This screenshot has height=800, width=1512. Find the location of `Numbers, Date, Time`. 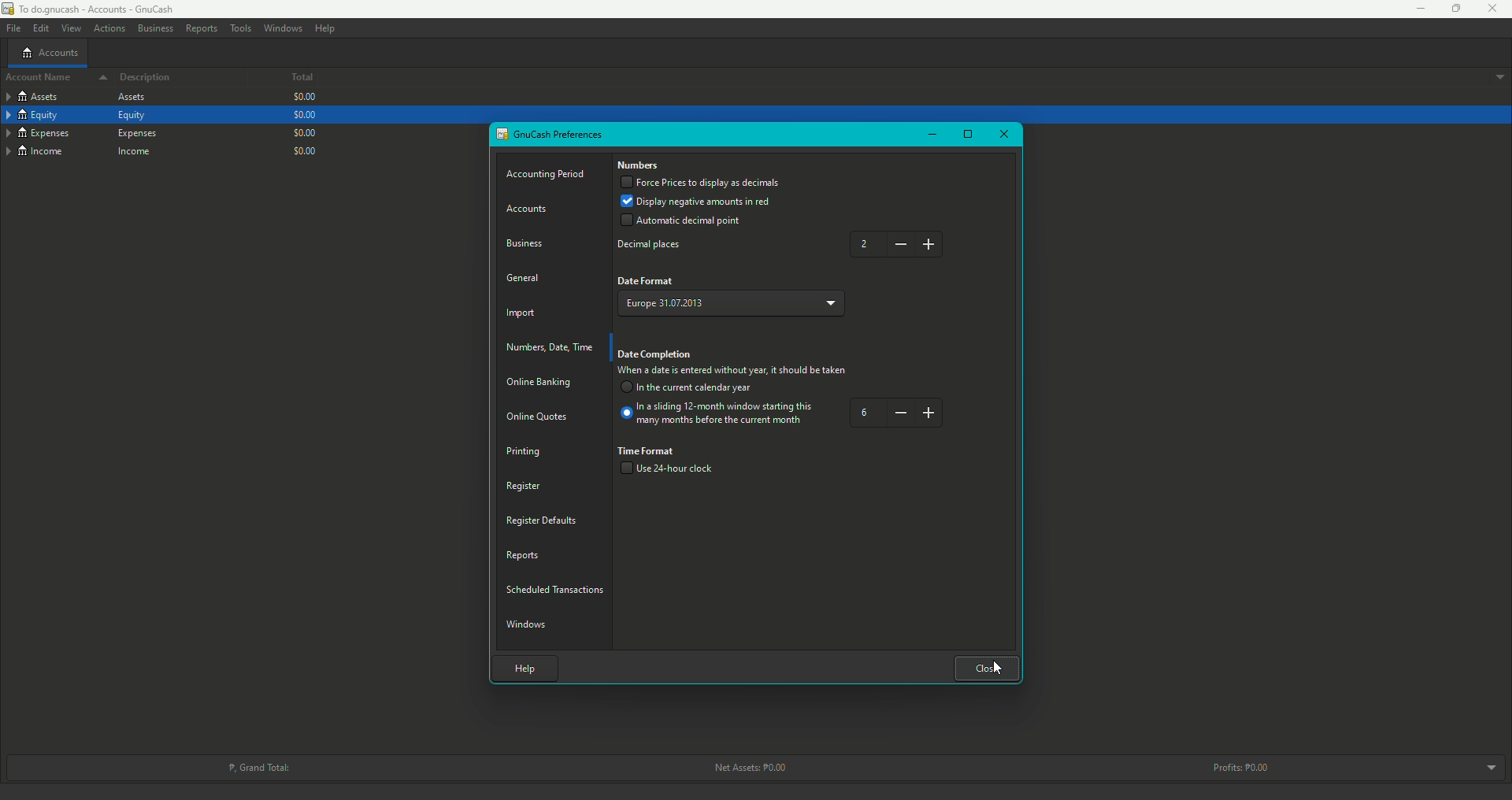

Numbers, Date, Time is located at coordinates (553, 347).